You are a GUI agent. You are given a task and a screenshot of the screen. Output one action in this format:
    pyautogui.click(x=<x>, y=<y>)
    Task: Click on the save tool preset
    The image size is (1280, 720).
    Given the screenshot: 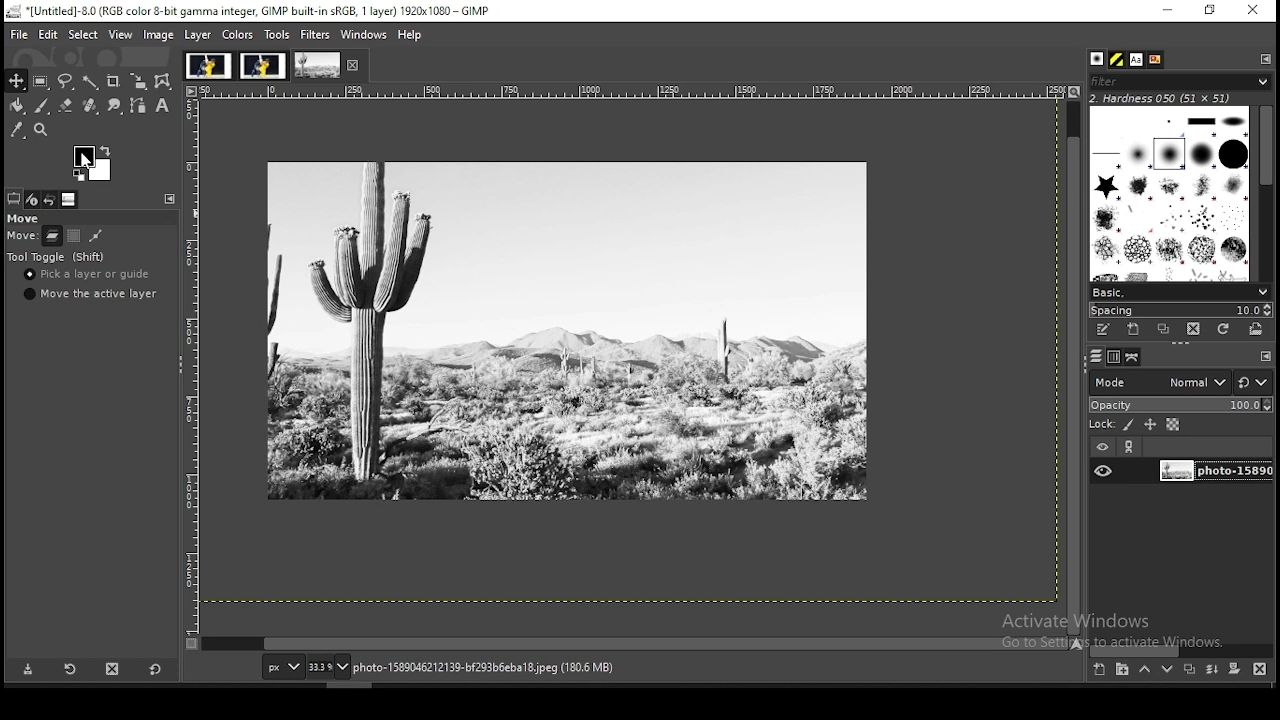 What is the action you would take?
    pyautogui.click(x=26, y=670)
    